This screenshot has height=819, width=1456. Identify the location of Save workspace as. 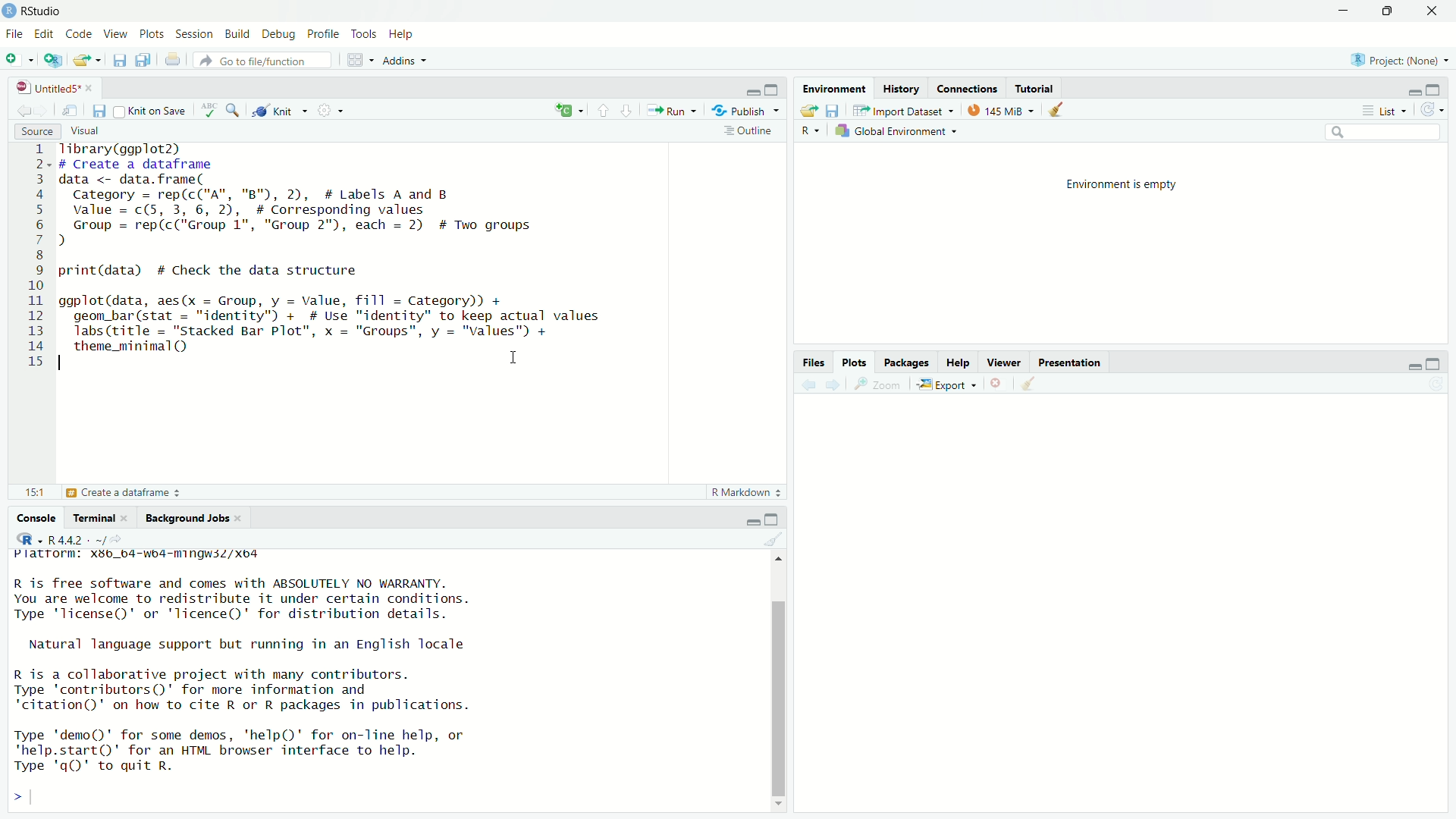
(834, 111).